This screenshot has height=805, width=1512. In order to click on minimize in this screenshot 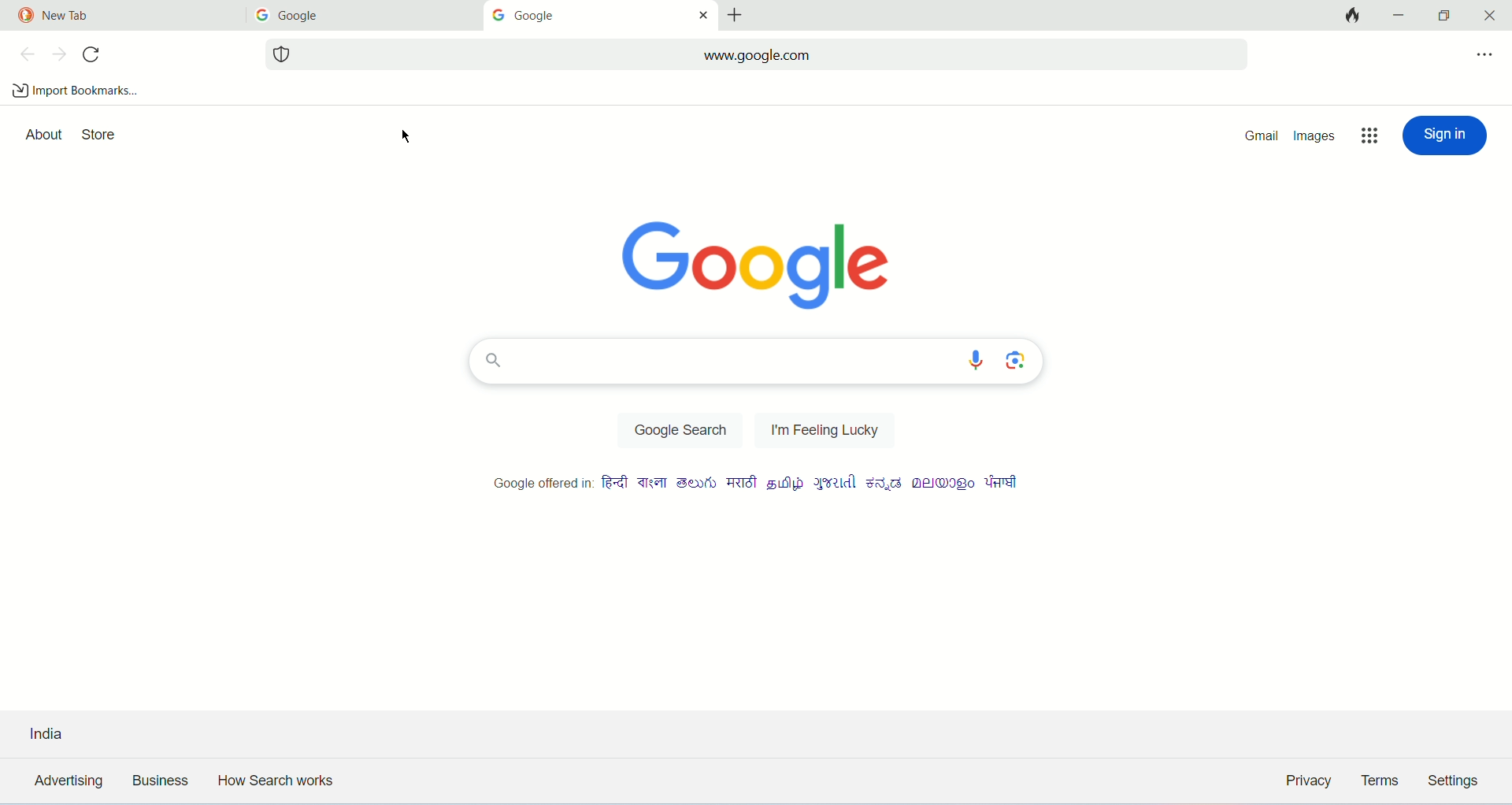, I will do `click(1398, 16)`.